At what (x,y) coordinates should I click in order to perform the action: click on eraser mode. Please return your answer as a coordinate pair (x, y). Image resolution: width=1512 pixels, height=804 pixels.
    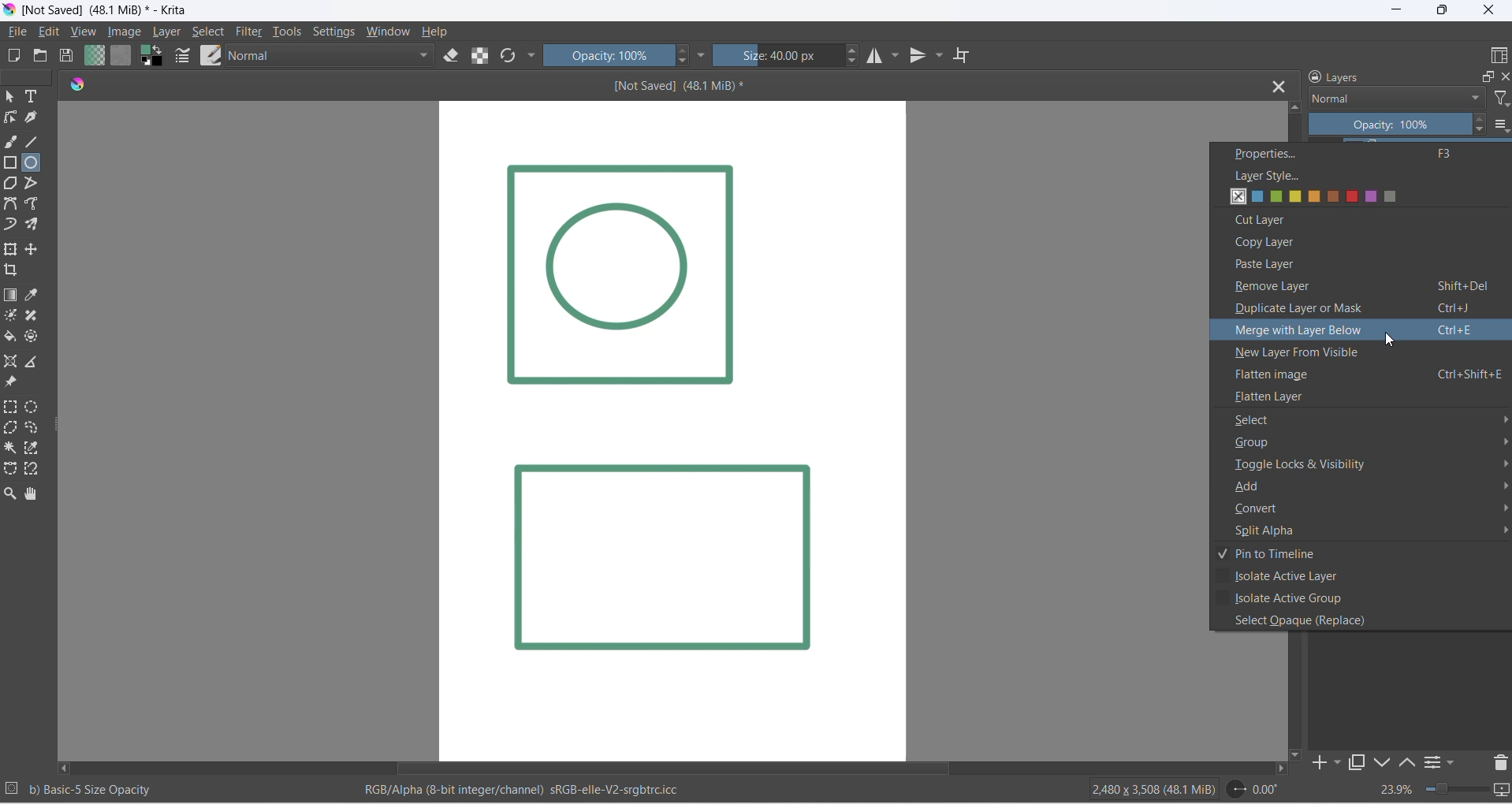
    Looking at the image, I should click on (452, 57).